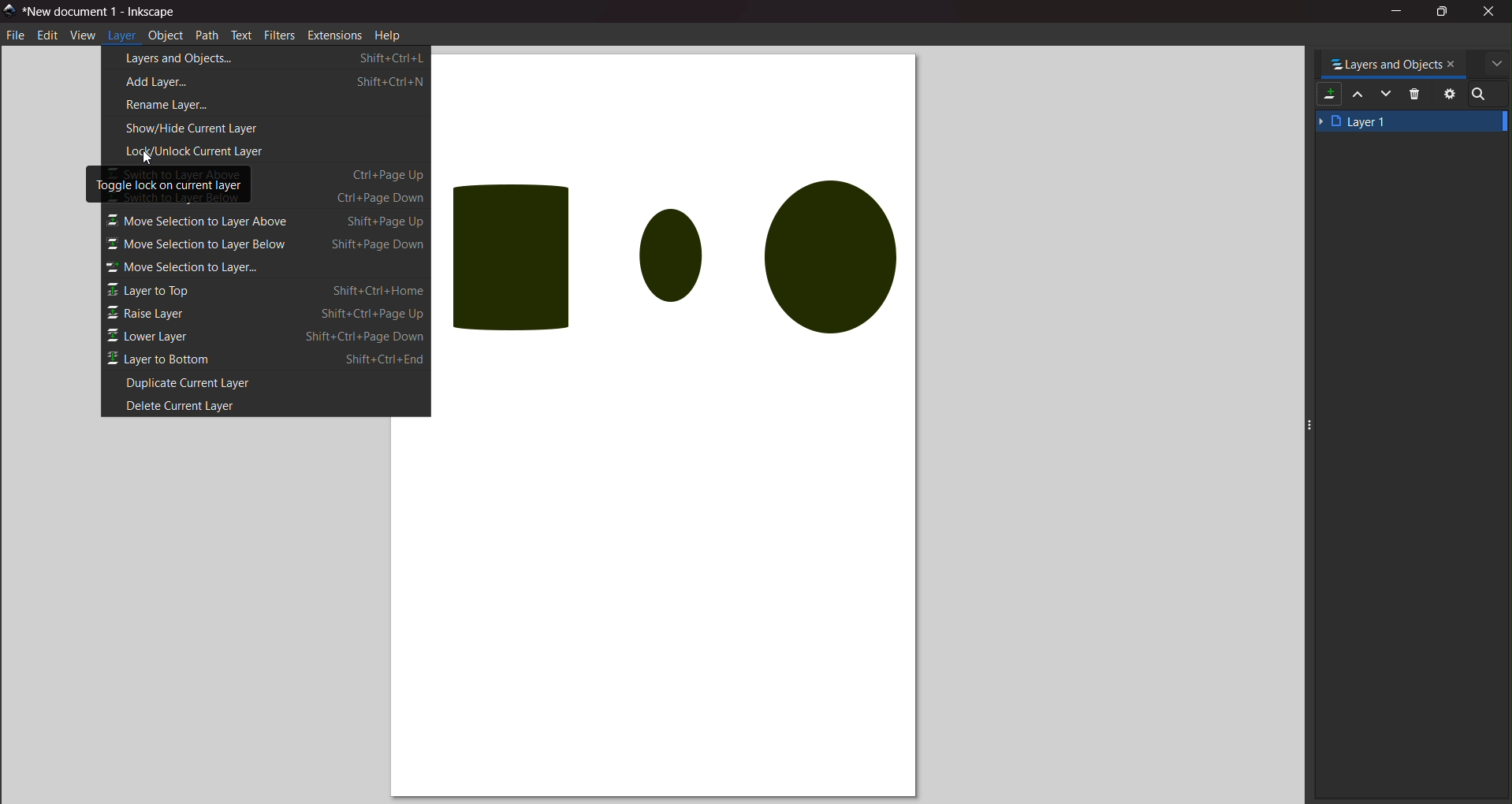 The height and width of the screenshot is (804, 1512). What do you see at coordinates (1312, 423) in the screenshot?
I see `expand` at bounding box center [1312, 423].